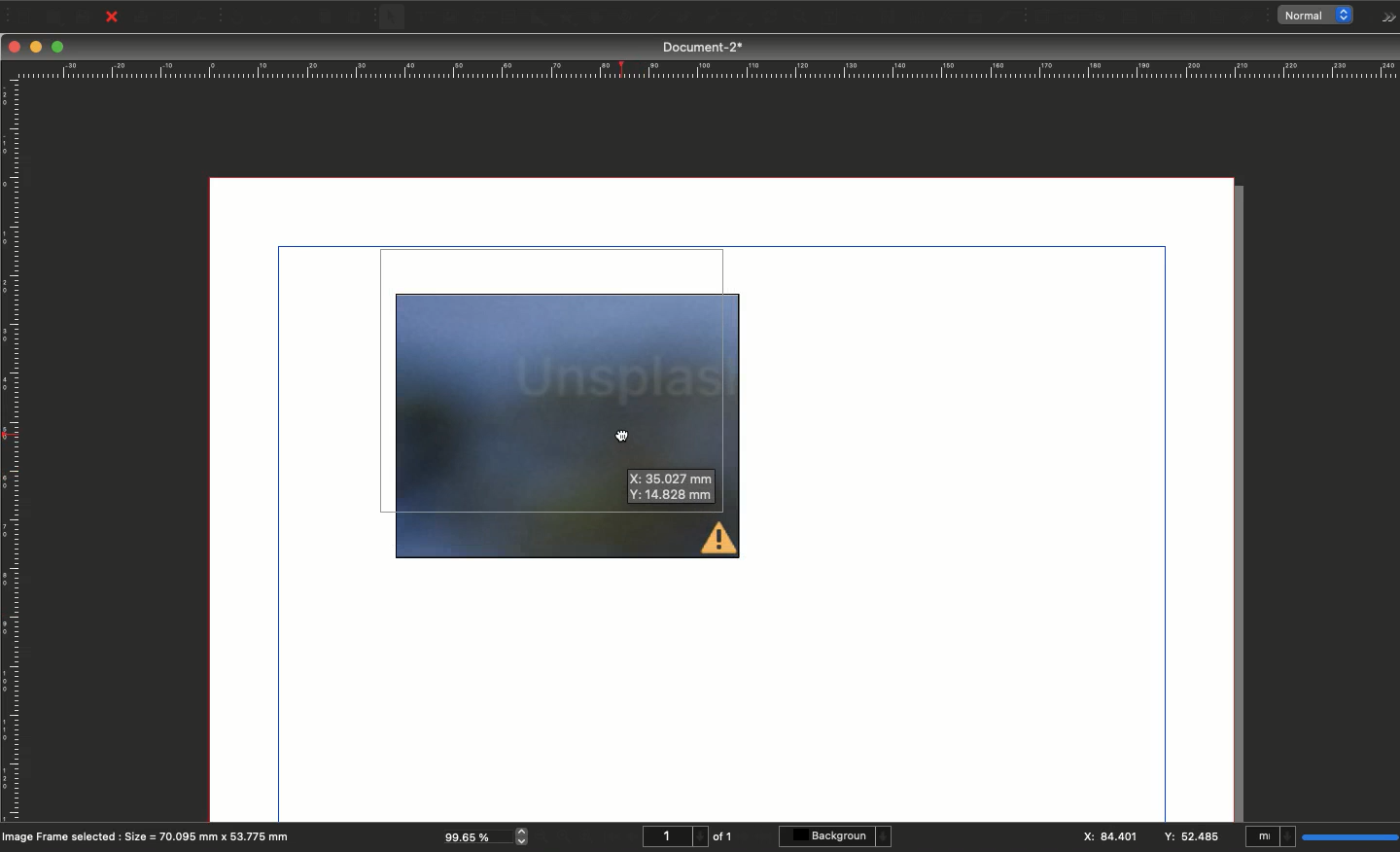 The height and width of the screenshot is (852, 1400). What do you see at coordinates (705, 70) in the screenshot?
I see `Ruler` at bounding box center [705, 70].